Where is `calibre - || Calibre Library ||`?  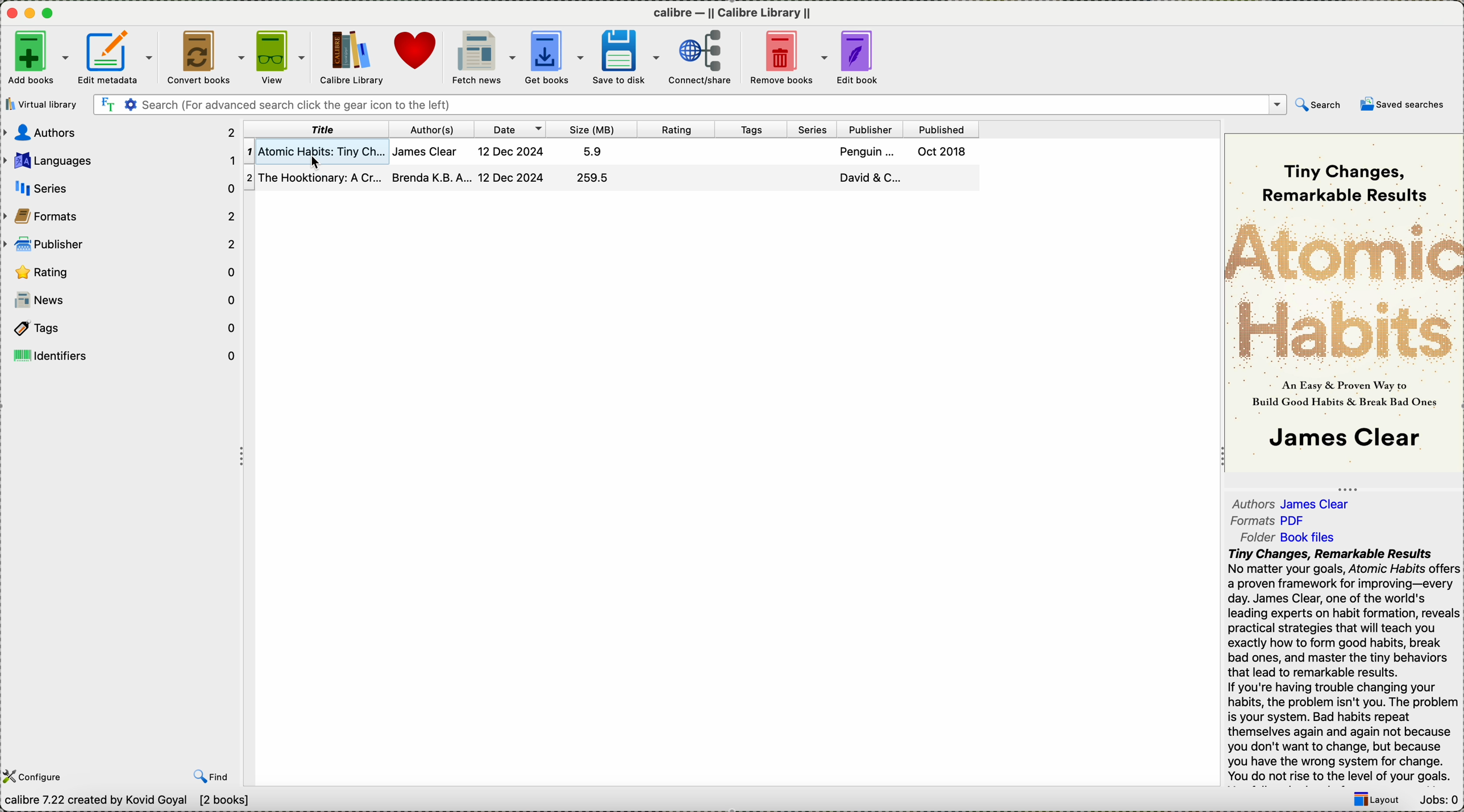 calibre - || Calibre Library || is located at coordinates (733, 11).